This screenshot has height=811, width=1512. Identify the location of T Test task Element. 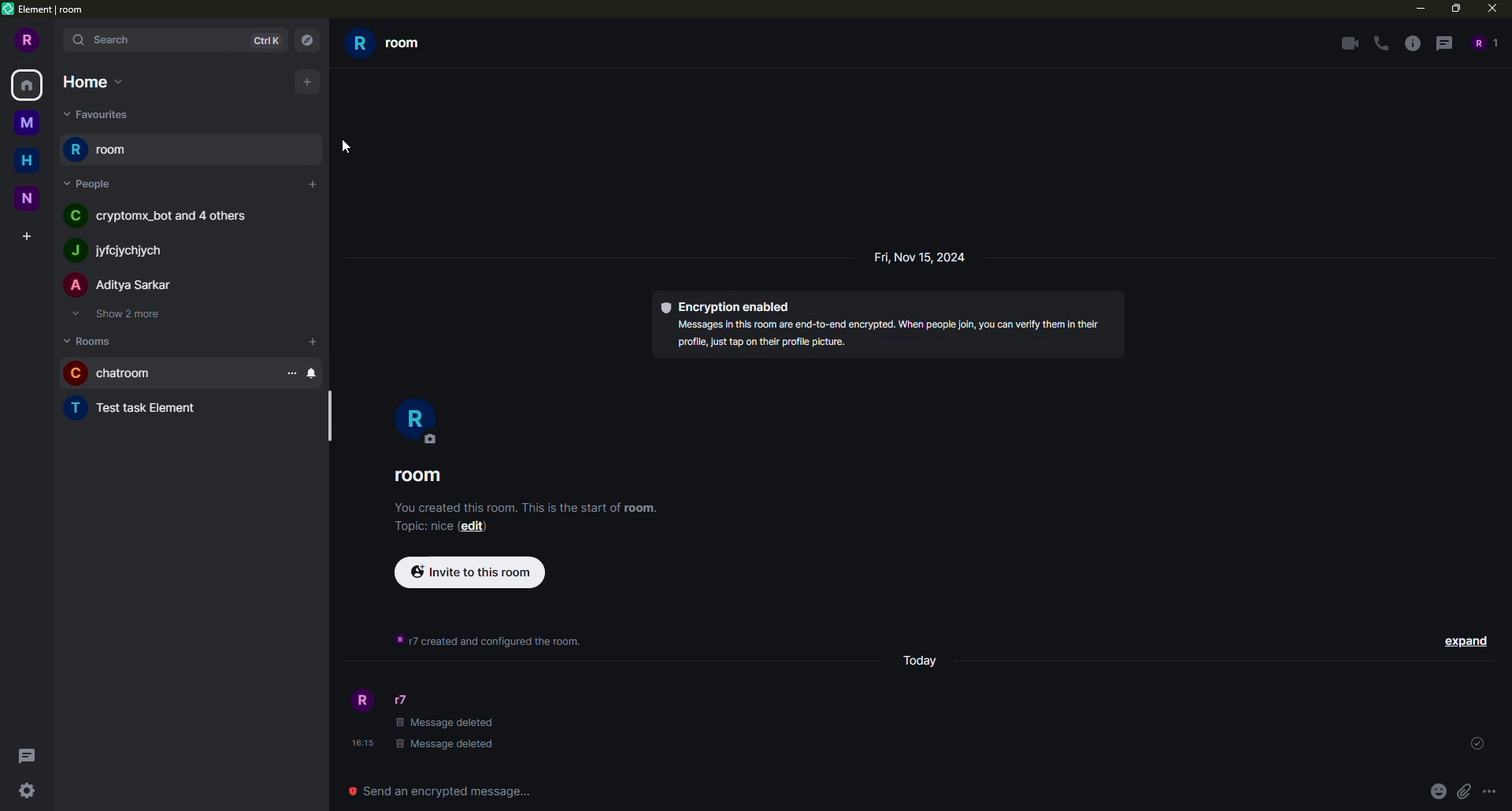
(143, 409).